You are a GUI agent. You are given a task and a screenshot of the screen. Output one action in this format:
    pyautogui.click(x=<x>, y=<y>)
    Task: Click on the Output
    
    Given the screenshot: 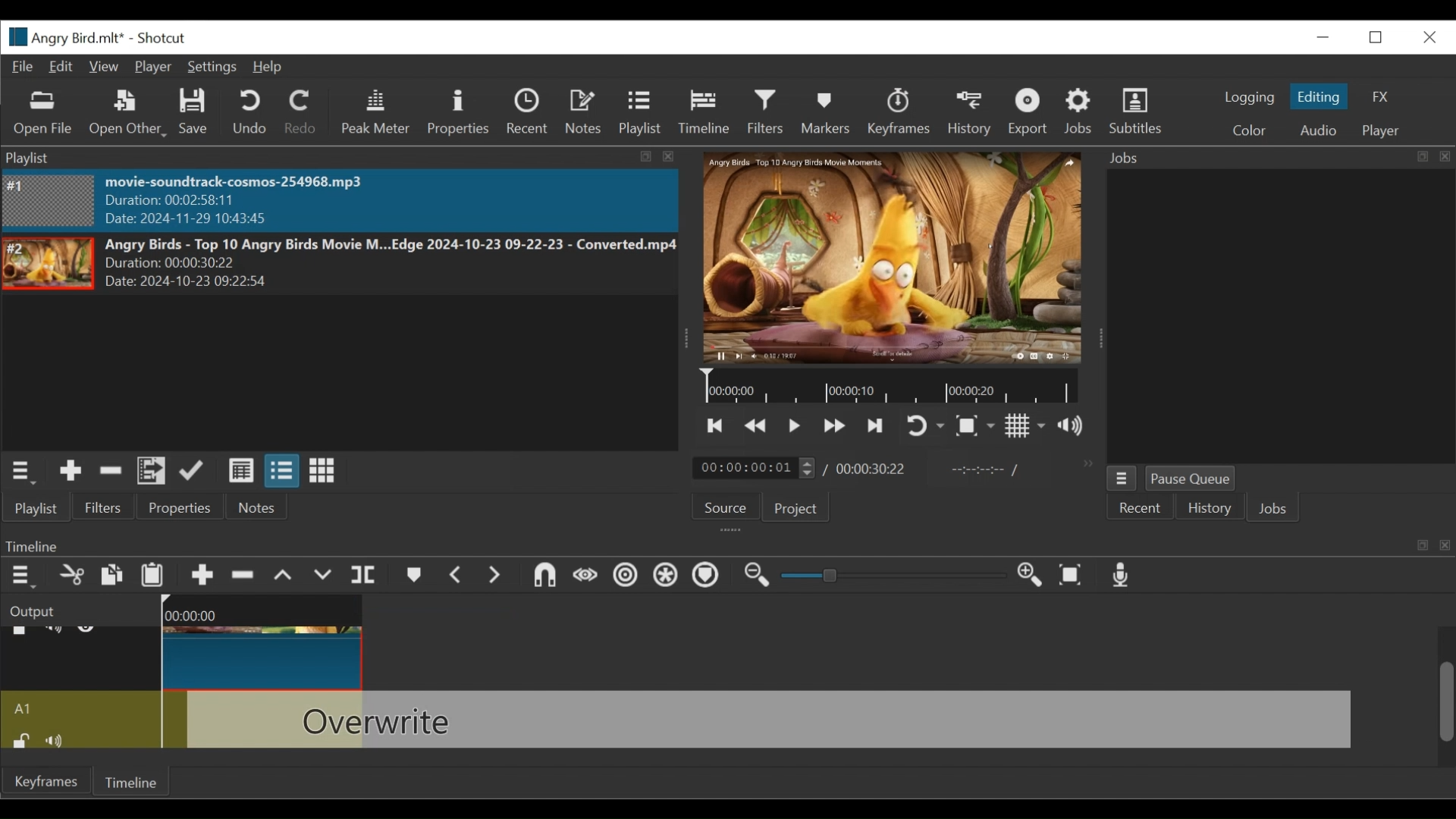 What is the action you would take?
    pyautogui.click(x=78, y=610)
    